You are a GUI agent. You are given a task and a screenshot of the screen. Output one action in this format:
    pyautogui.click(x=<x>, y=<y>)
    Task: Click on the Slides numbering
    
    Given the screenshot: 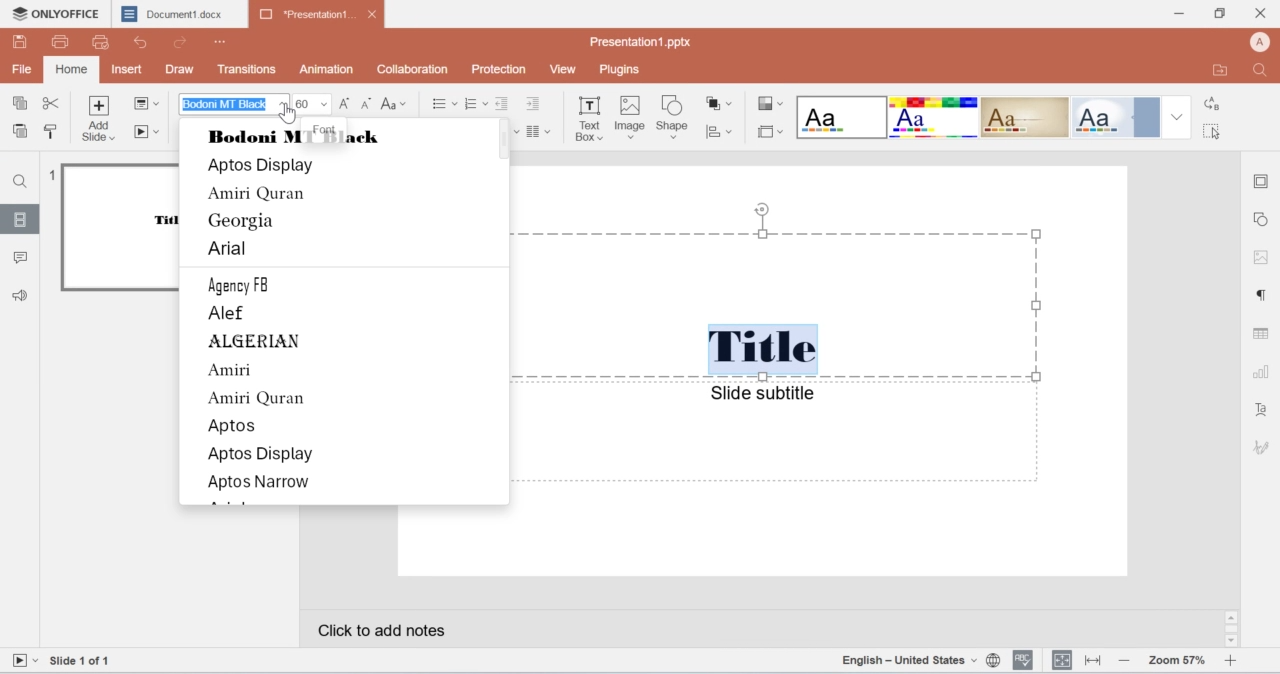 What is the action you would take?
    pyautogui.click(x=87, y=662)
    